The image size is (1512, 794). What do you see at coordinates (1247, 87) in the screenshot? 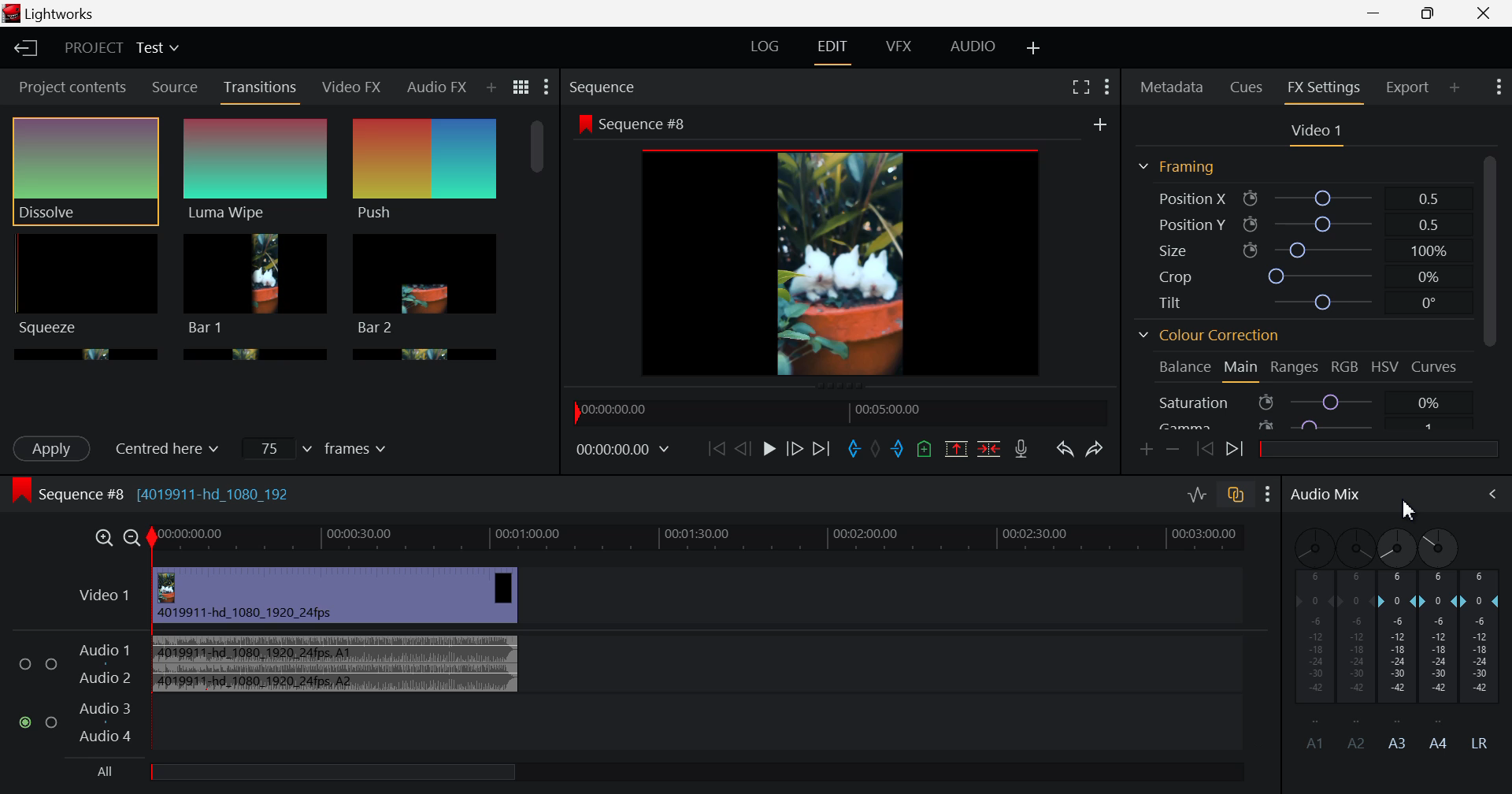
I see `Cues` at bounding box center [1247, 87].